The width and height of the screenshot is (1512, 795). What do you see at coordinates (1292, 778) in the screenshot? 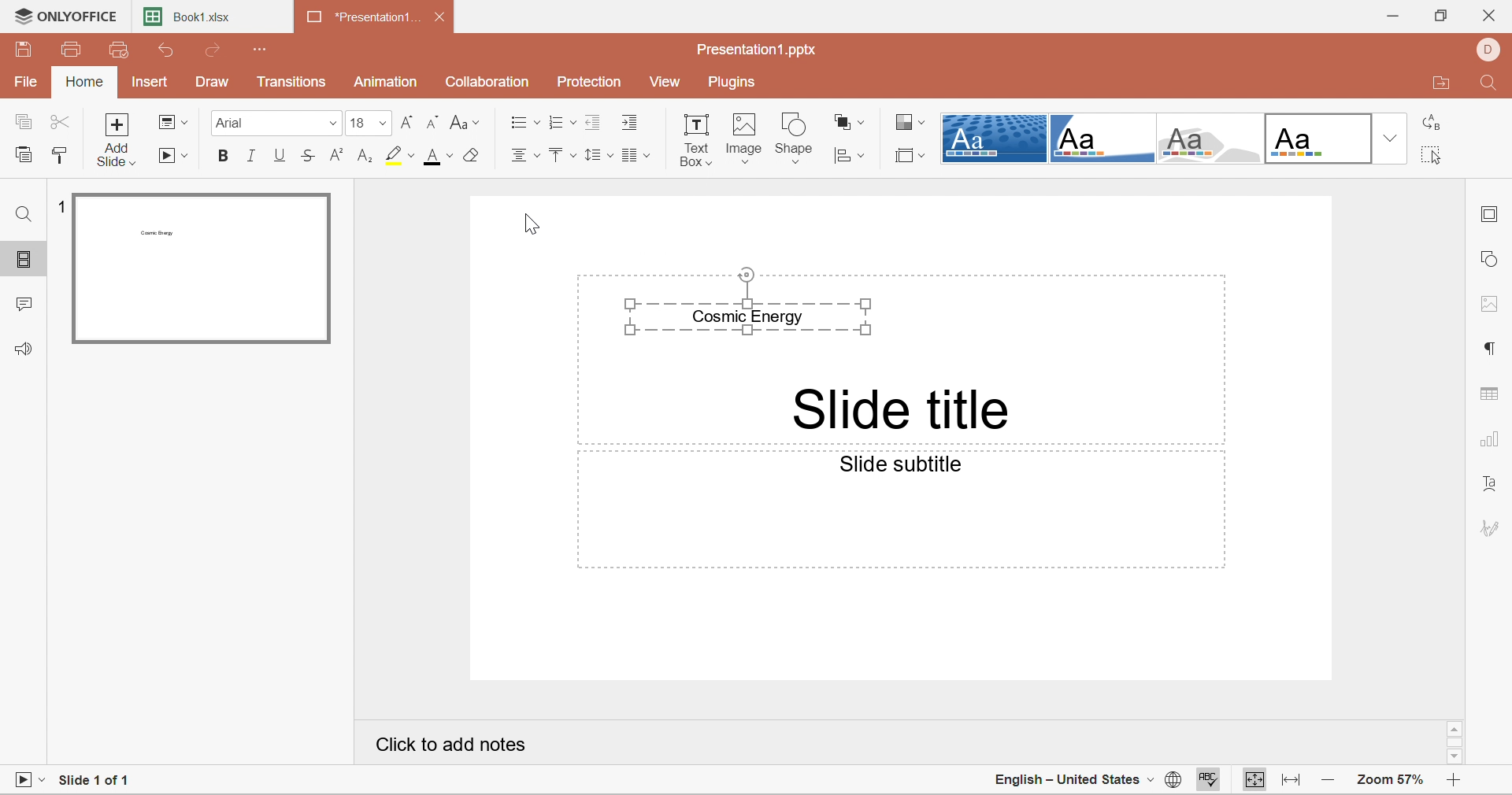
I see `Fit to width` at bounding box center [1292, 778].